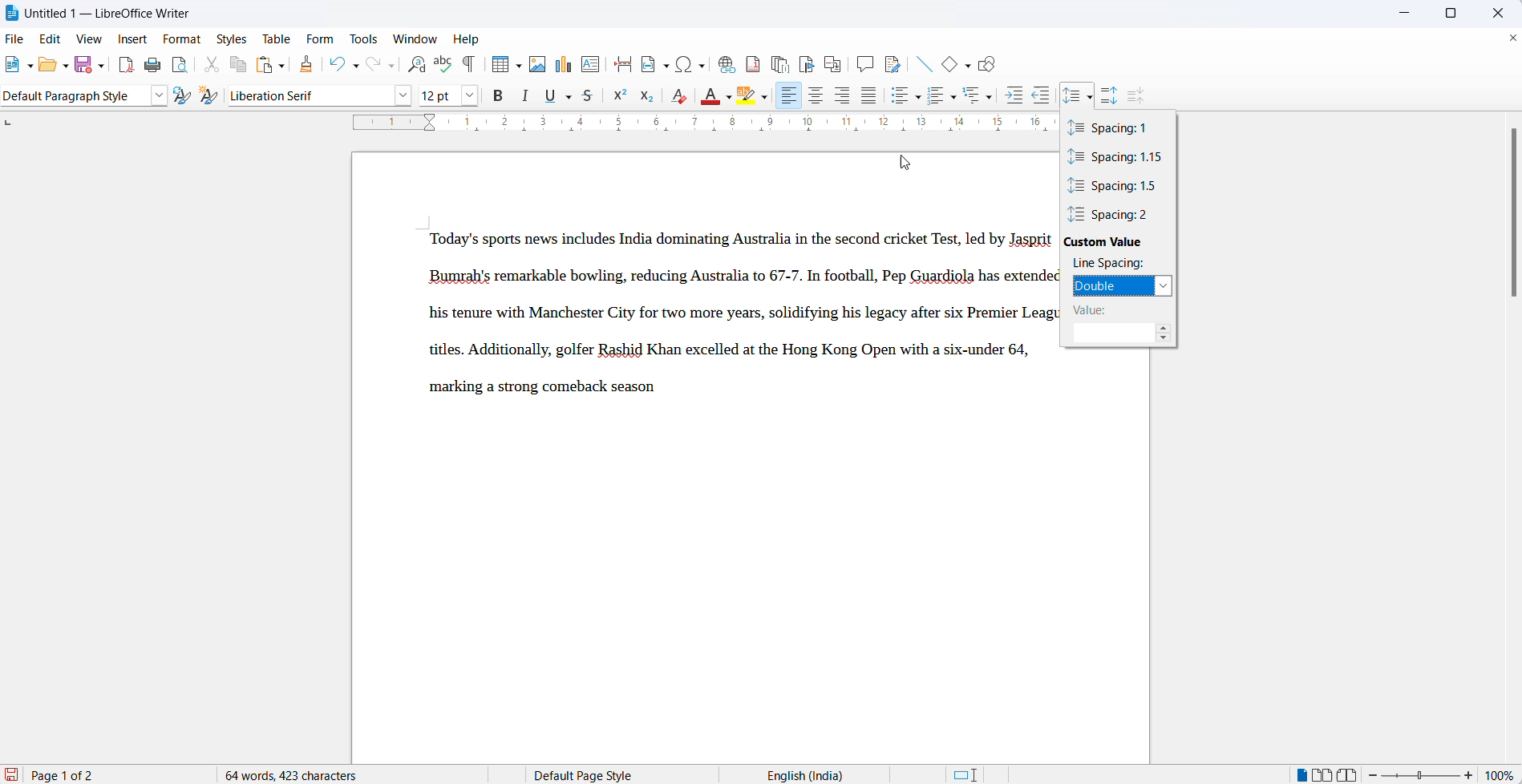 The width and height of the screenshot is (1522, 784). I want to click on increase zoom, so click(1469, 774).